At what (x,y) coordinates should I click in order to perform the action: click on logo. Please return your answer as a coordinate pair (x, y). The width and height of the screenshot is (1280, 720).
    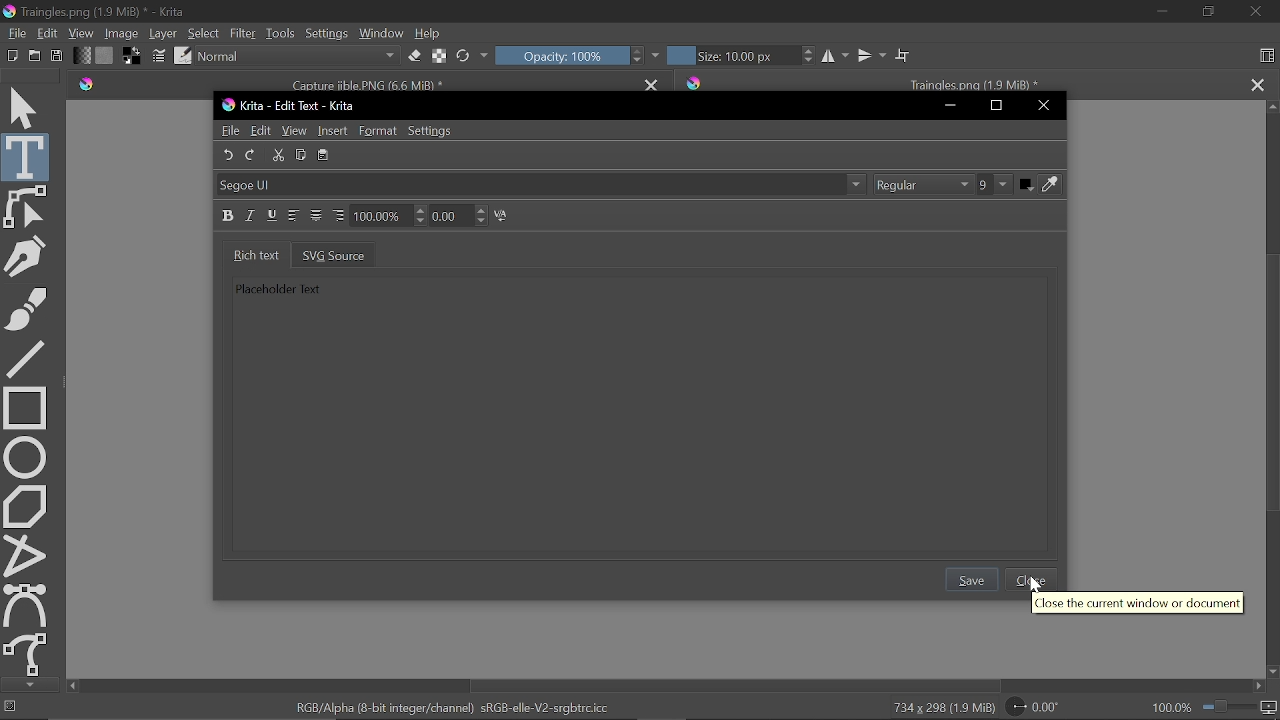
    Looking at the image, I should click on (8, 12).